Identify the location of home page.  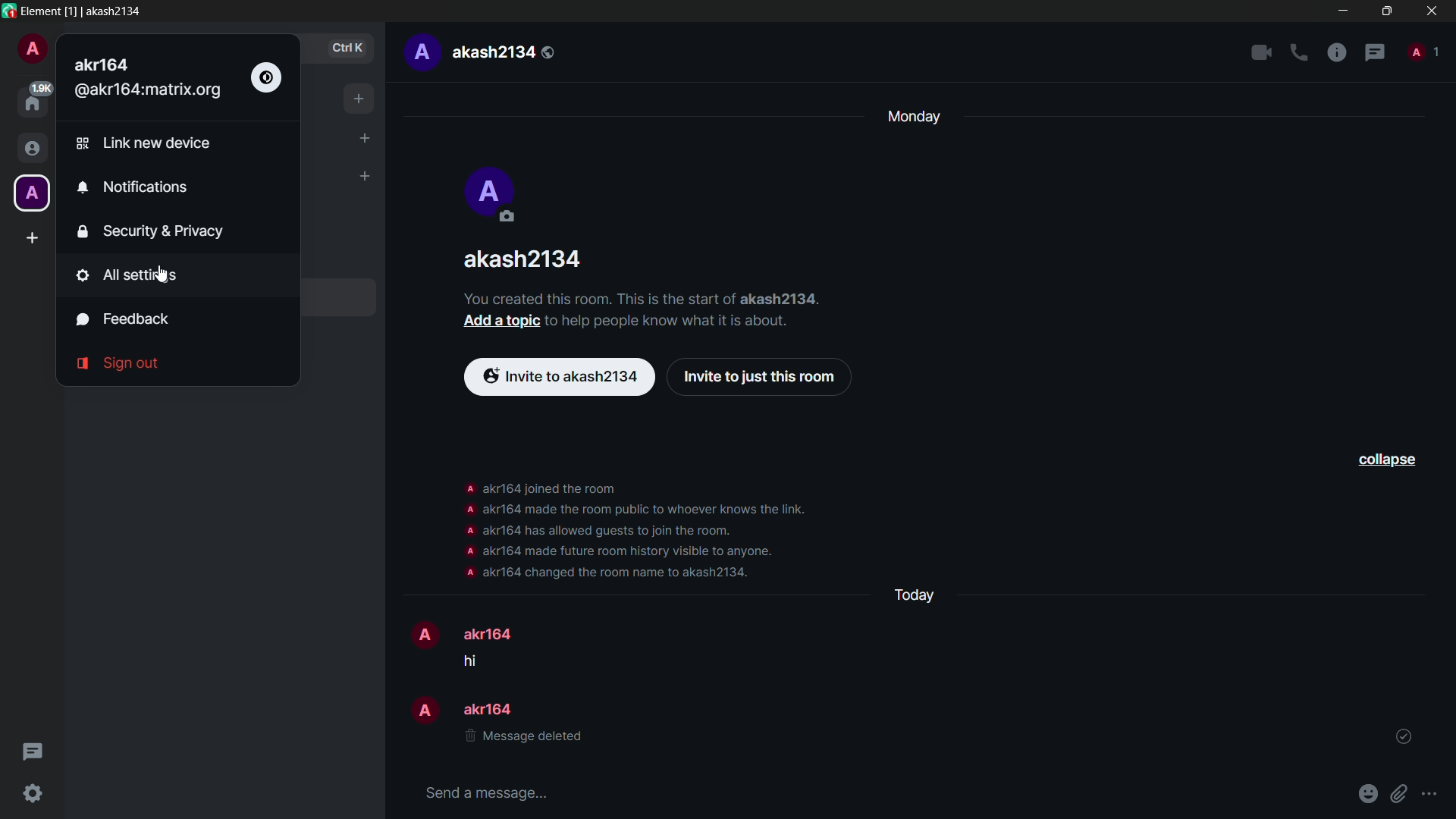
(35, 99).